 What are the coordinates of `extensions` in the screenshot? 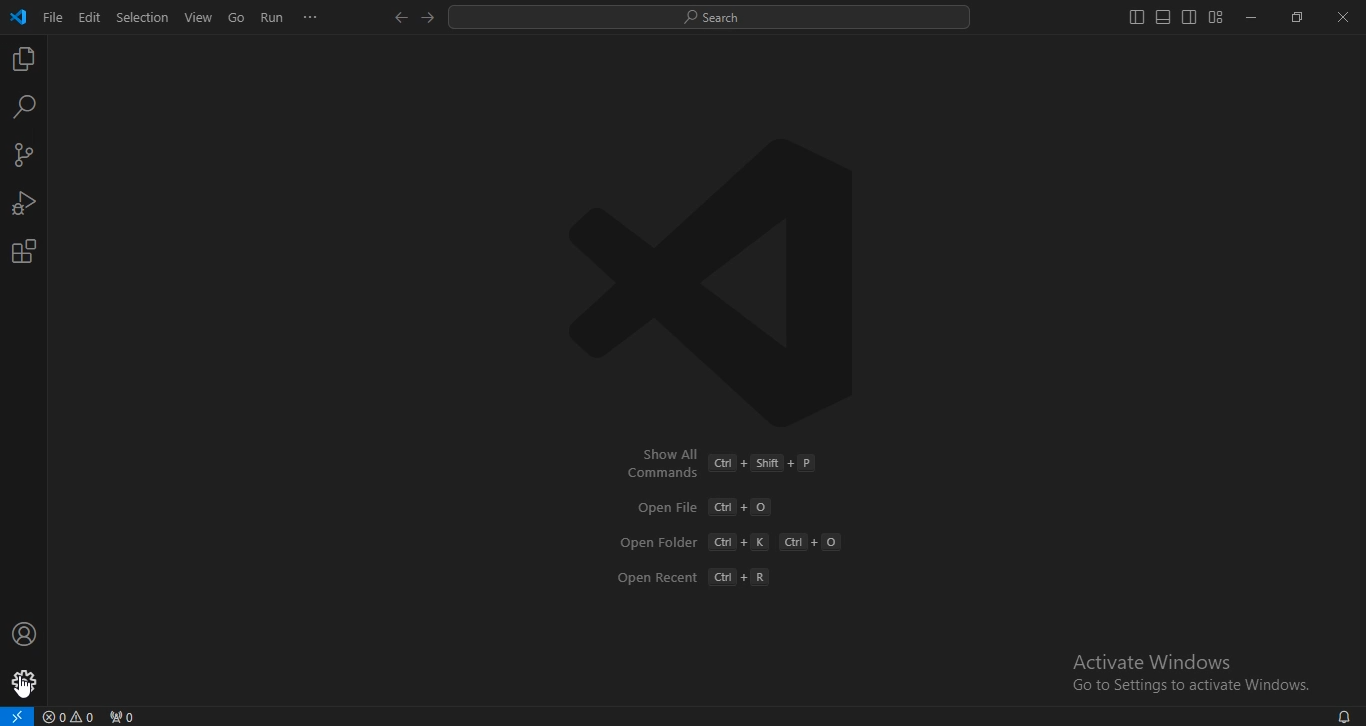 It's located at (23, 252).